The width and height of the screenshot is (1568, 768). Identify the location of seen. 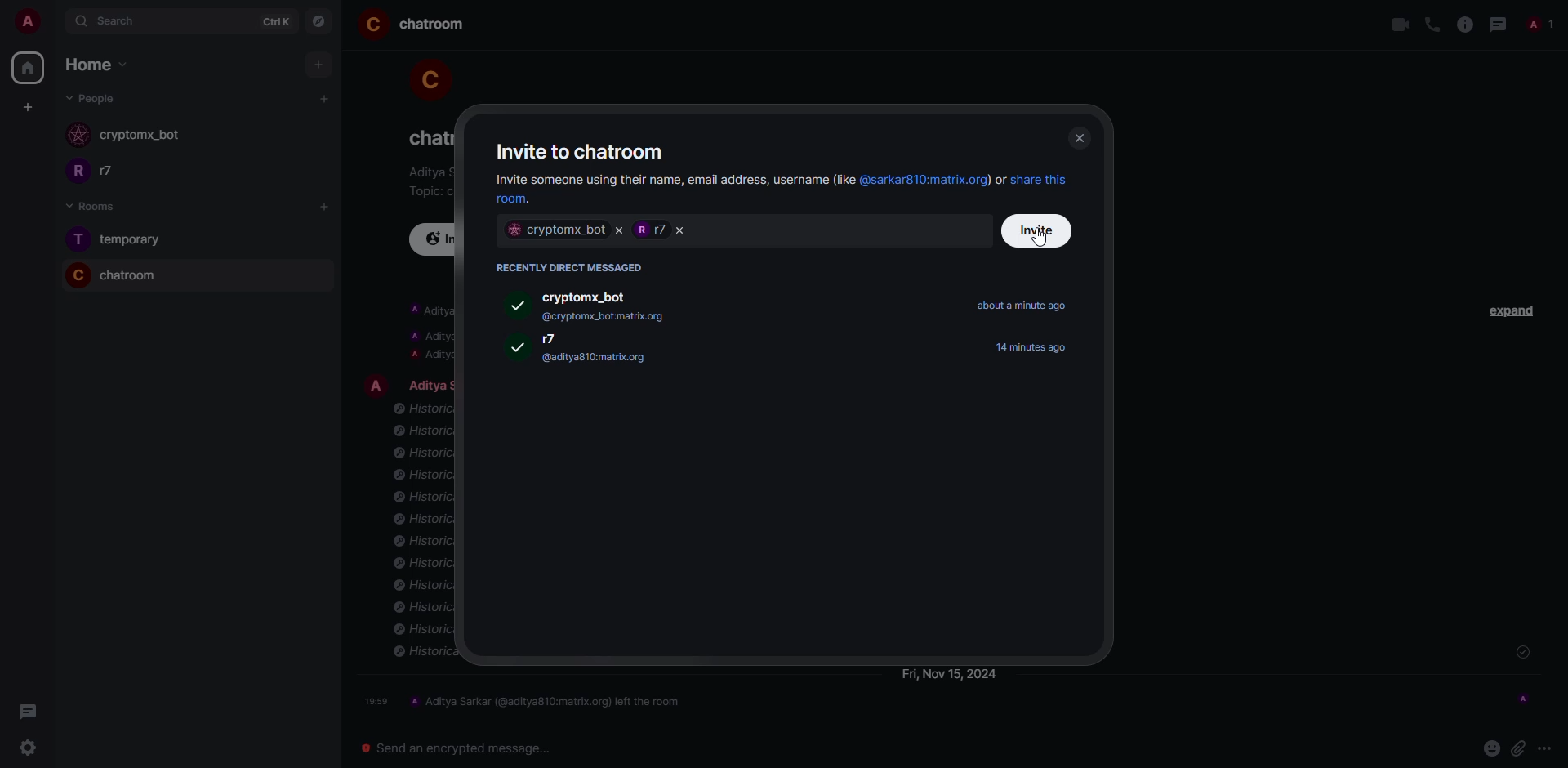
(1523, 697).